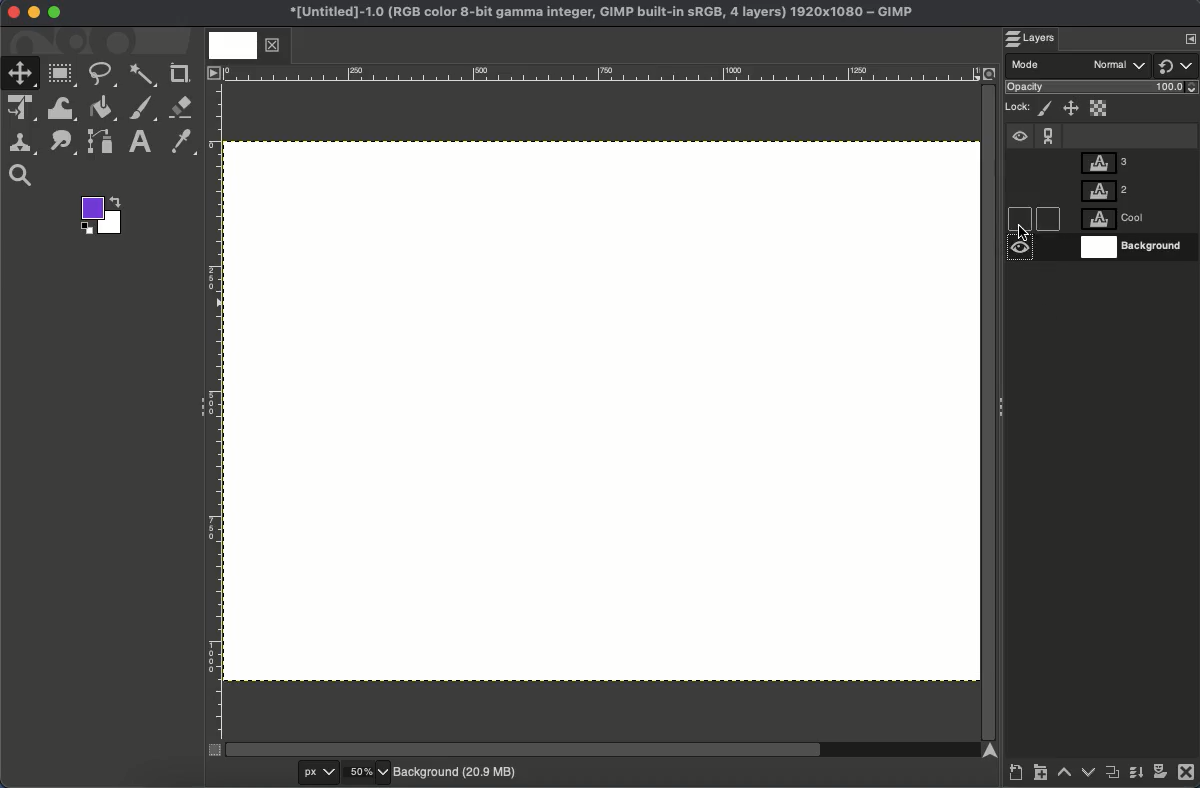 This screenshot has height=788, width=1200. Describe the element at coordinates (1113, 776) in the screenshot. I see `Duplicate` at that location.